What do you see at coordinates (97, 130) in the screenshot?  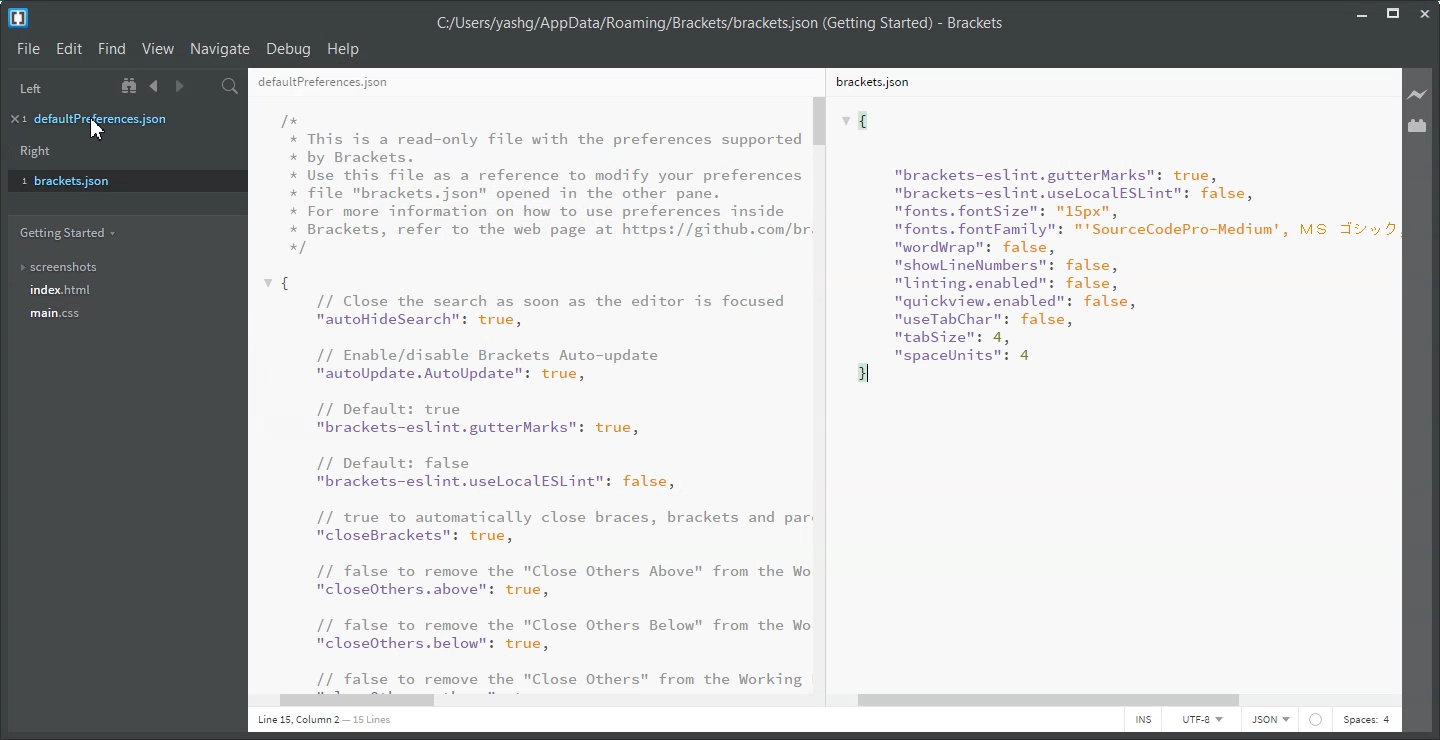 I see `cursor` at bounding box center [97, 130].